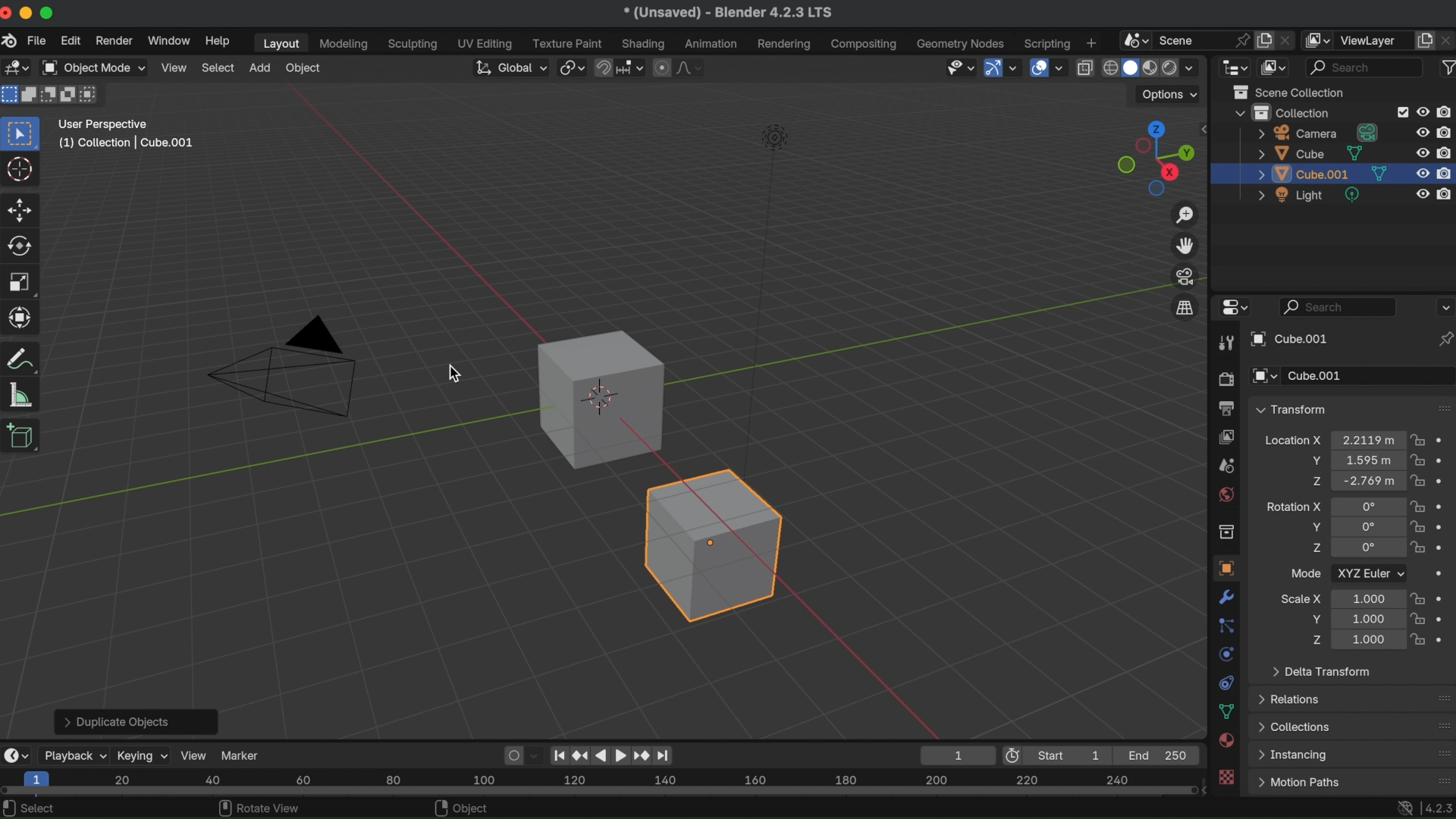  Describe the element at coordinates (669, 755) in the screenshot. I see `jump to endpoint` at that location.